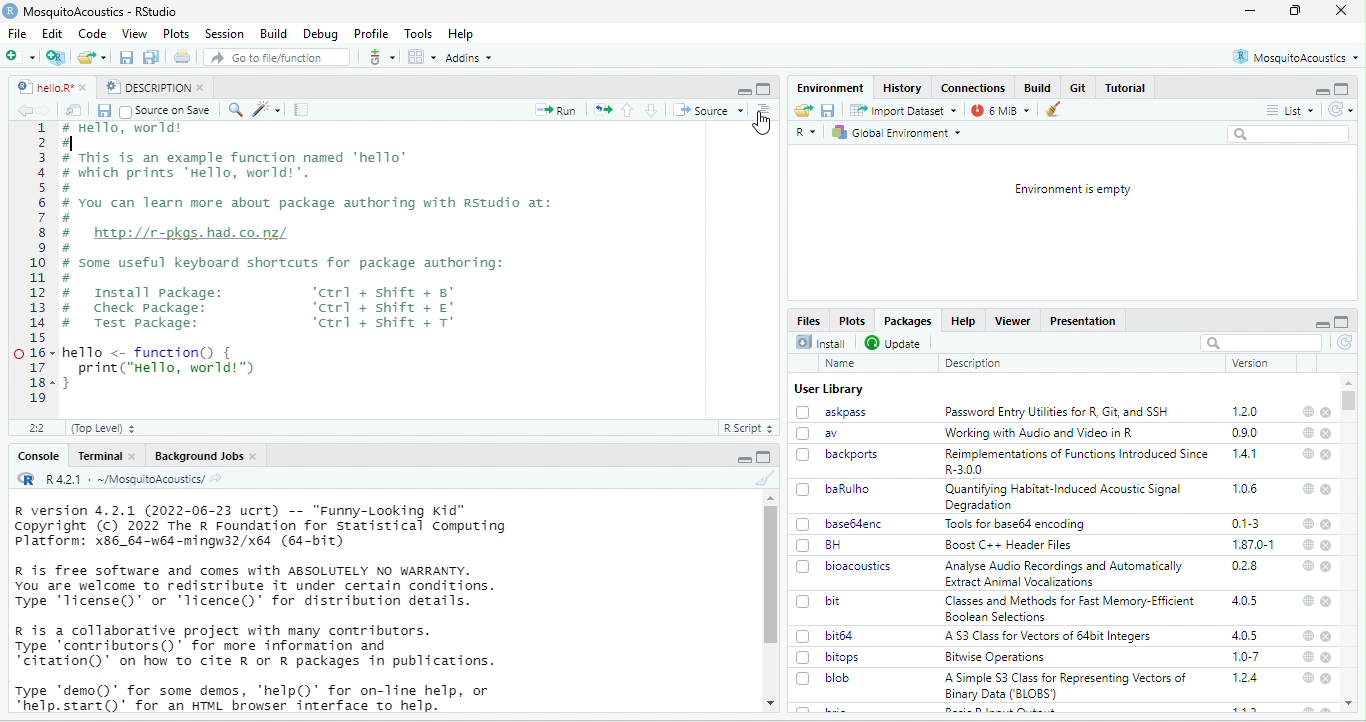 Image resolution: width=1366 pixels, height=722 pixels. What do you see at coordinates (820, 600) in the screenshot?
I see `bit` at bounding box center [820, 600].